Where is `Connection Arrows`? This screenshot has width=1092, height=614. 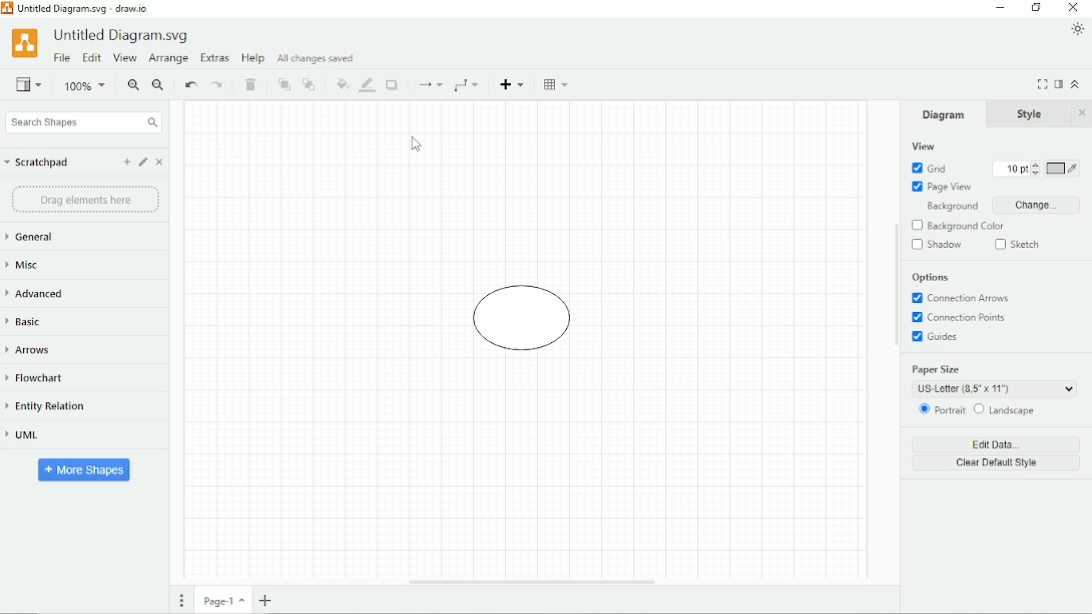 Connection Arrows is located at coordinates (960, 297).